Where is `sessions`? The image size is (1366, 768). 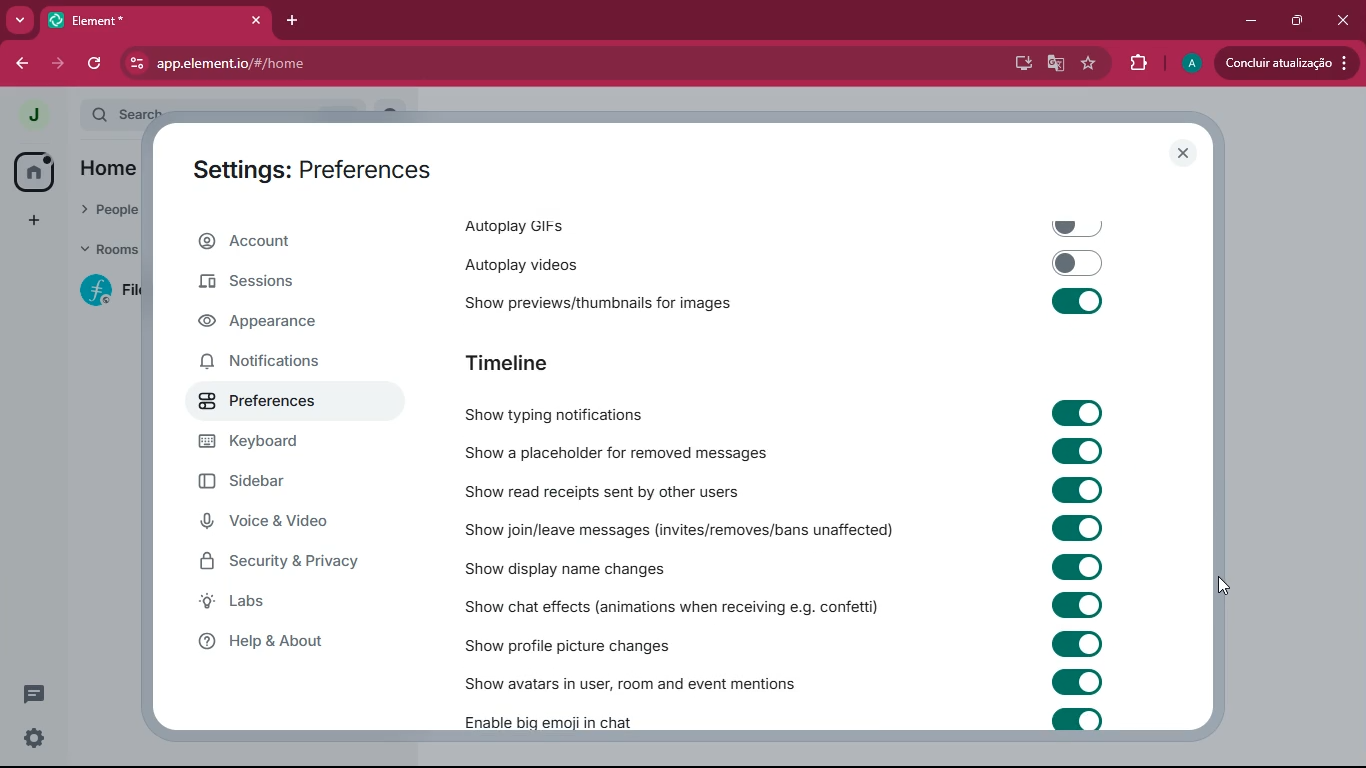
sessions is located at coordinates (272, 287).